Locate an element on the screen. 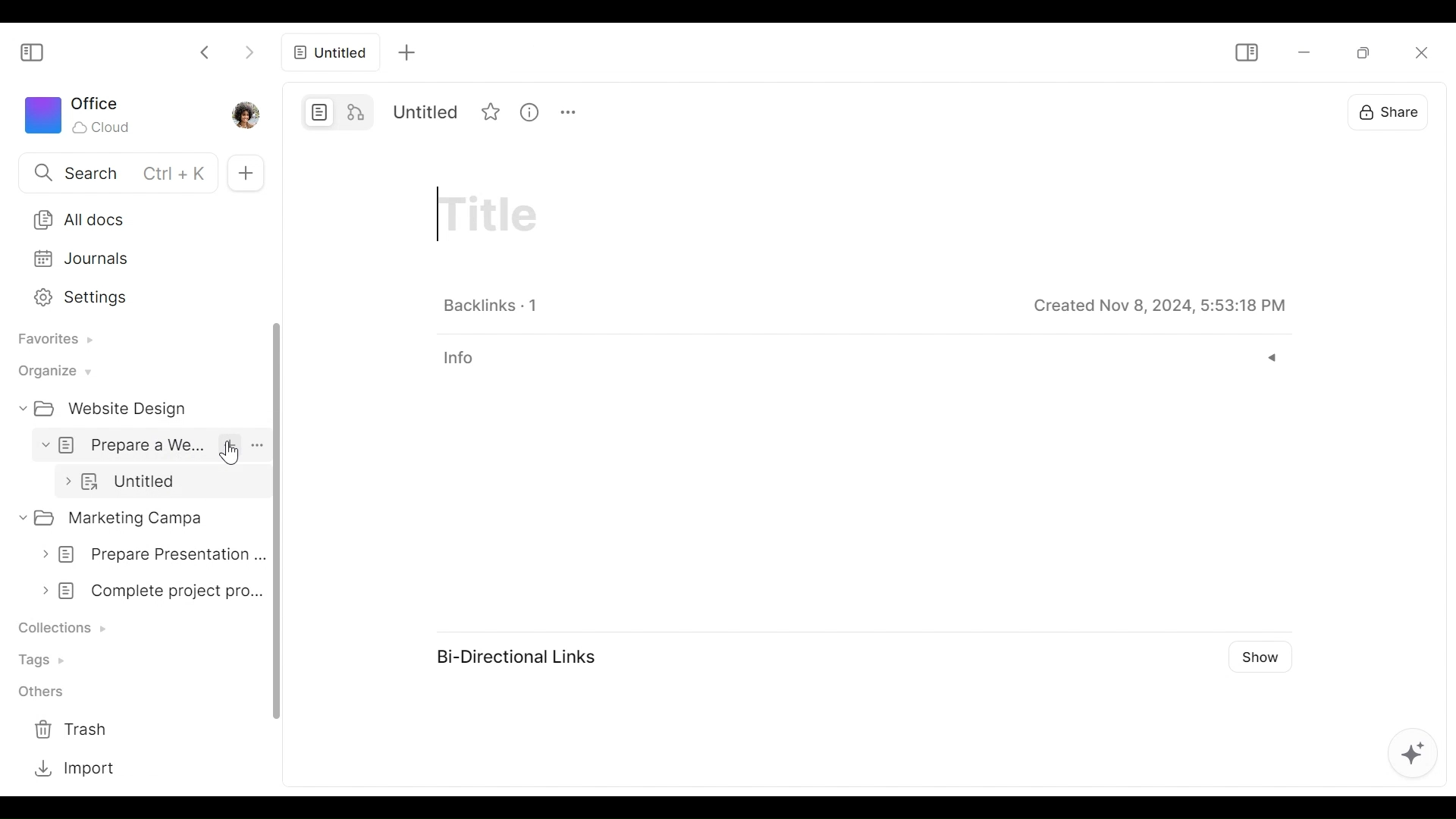  Backlink is located at coordinates (494, 304).